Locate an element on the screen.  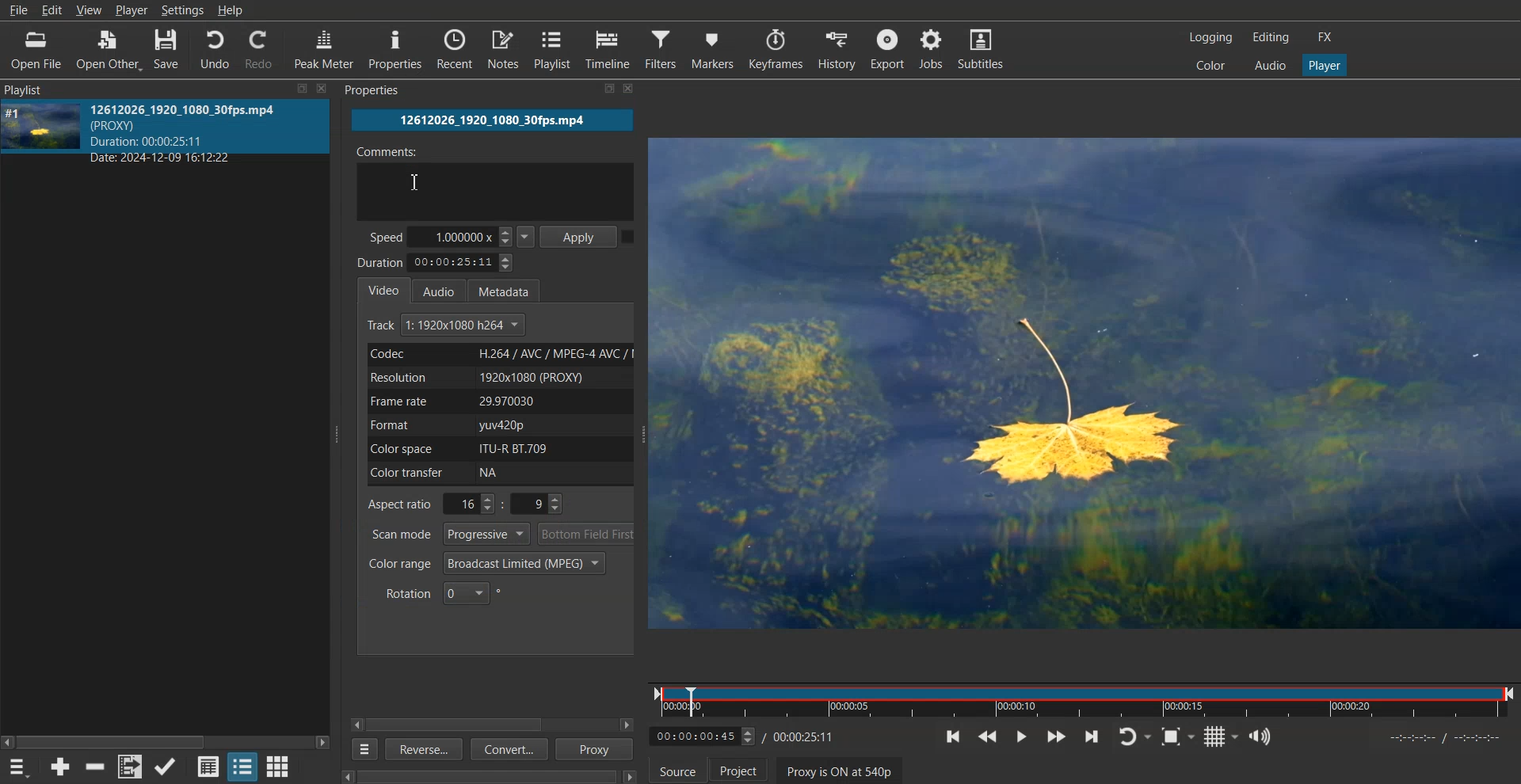
Jobs is located at coordinates (934, 48).